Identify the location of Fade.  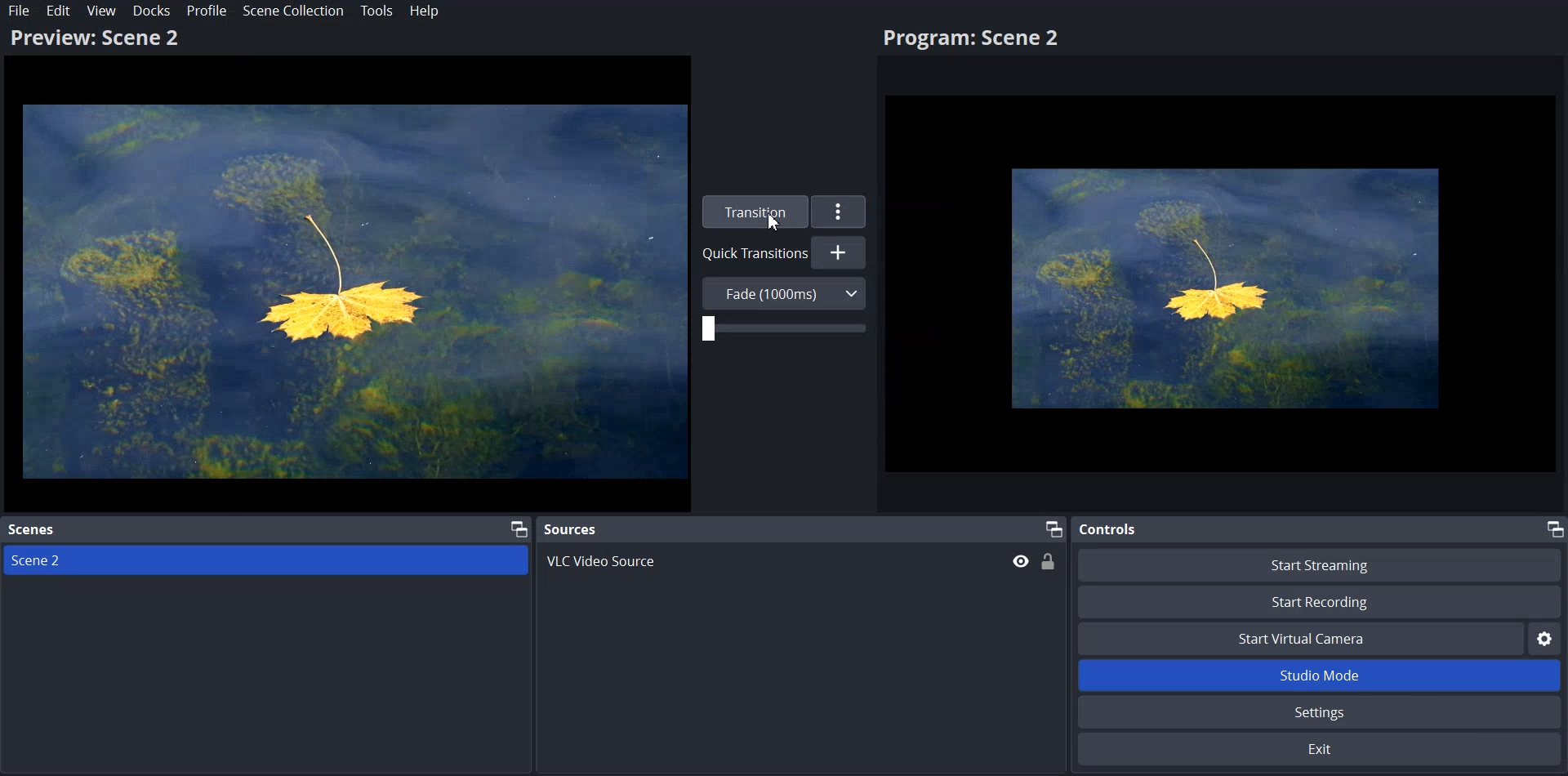
(786, 292).